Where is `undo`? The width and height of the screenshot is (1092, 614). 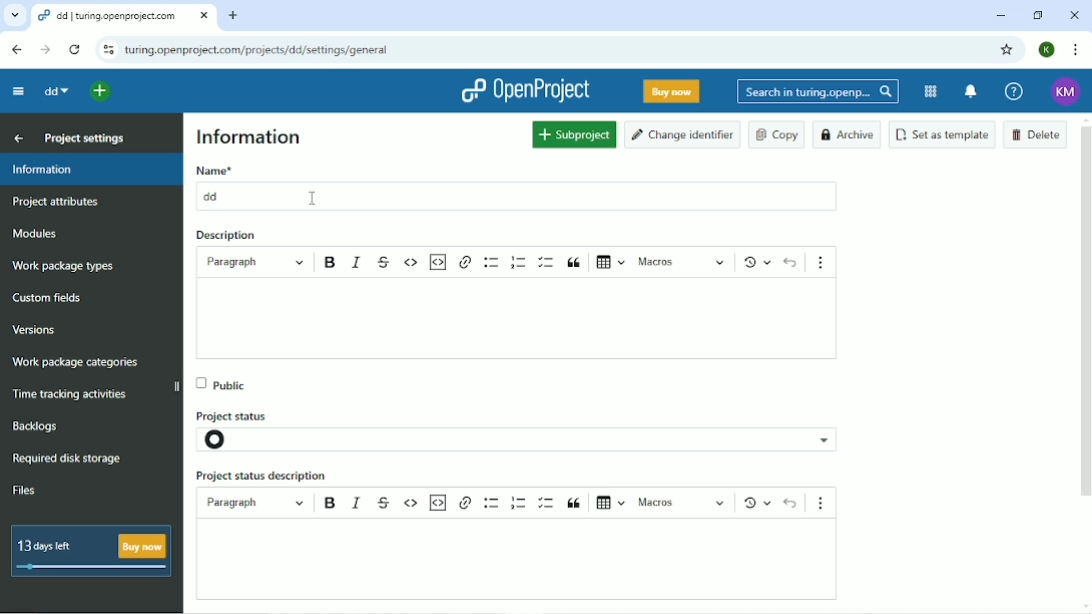 undo is located at coordinates (790, 502).